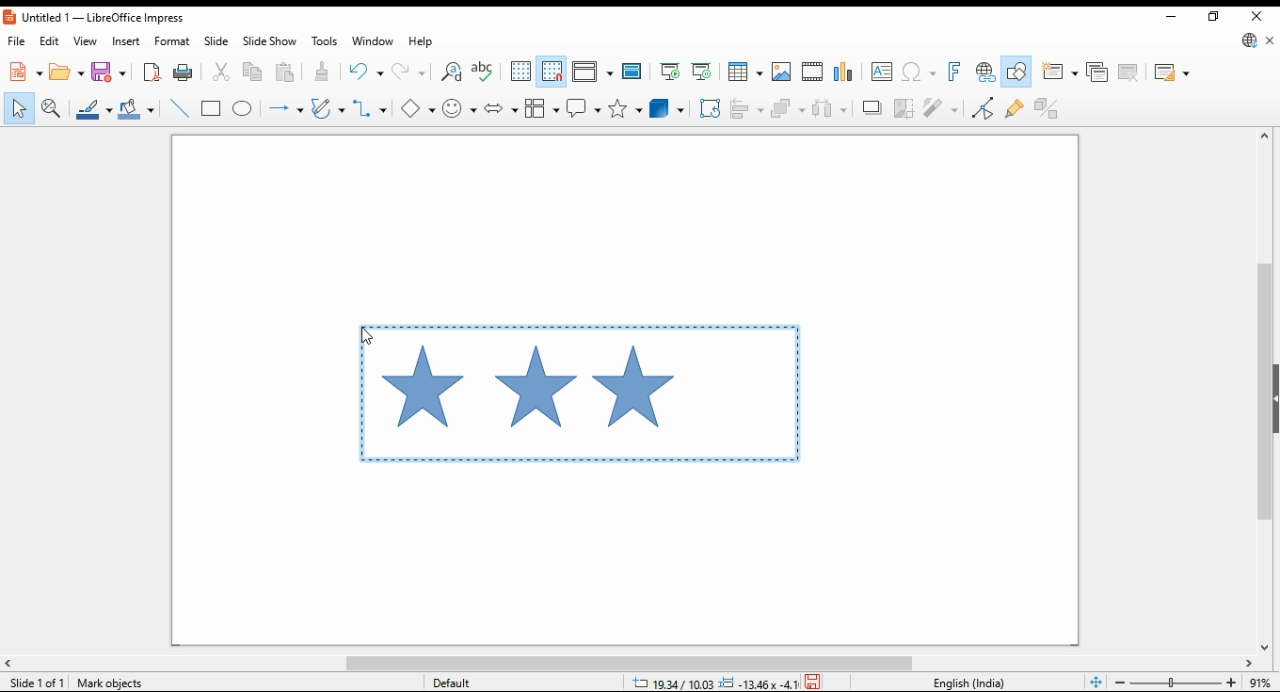  Describe the element at coordinates (224, 71) in the screenshot. I see `cut` at that location.